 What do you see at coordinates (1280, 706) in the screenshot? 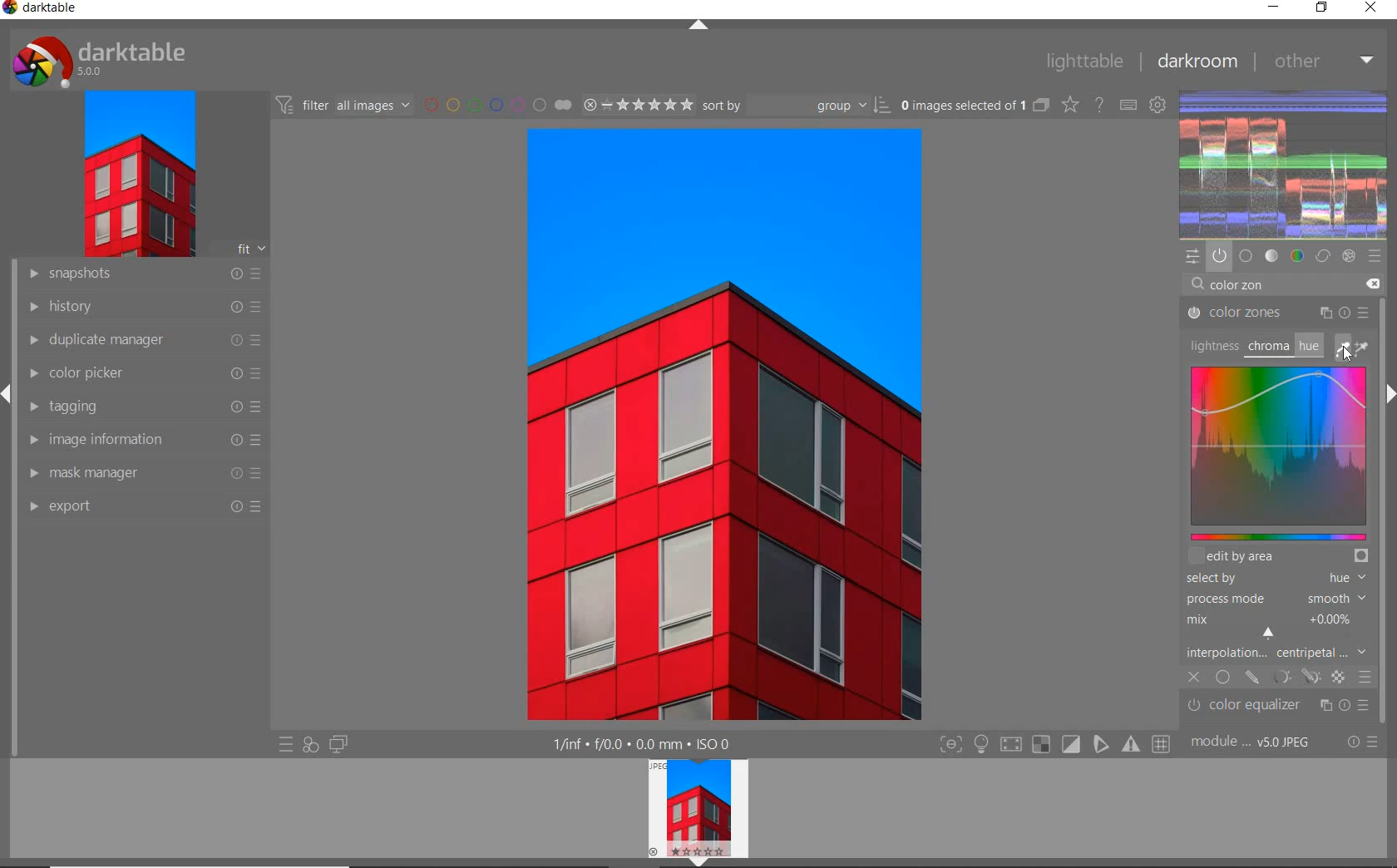
I see `color equalizer` at bounding box center [1280, 706].